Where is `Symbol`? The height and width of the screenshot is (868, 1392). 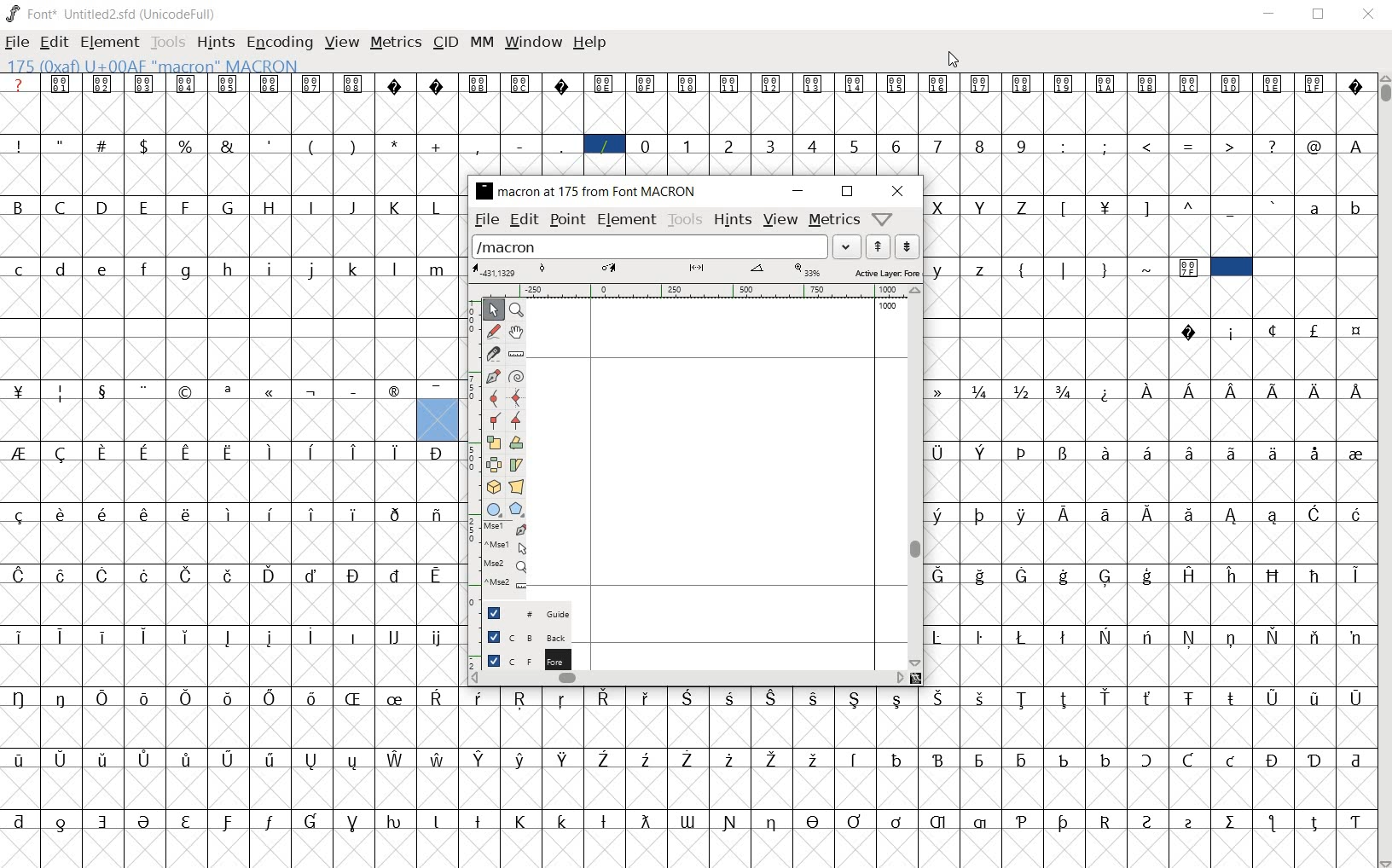 Symbol is located at coordinates (1314, 329).